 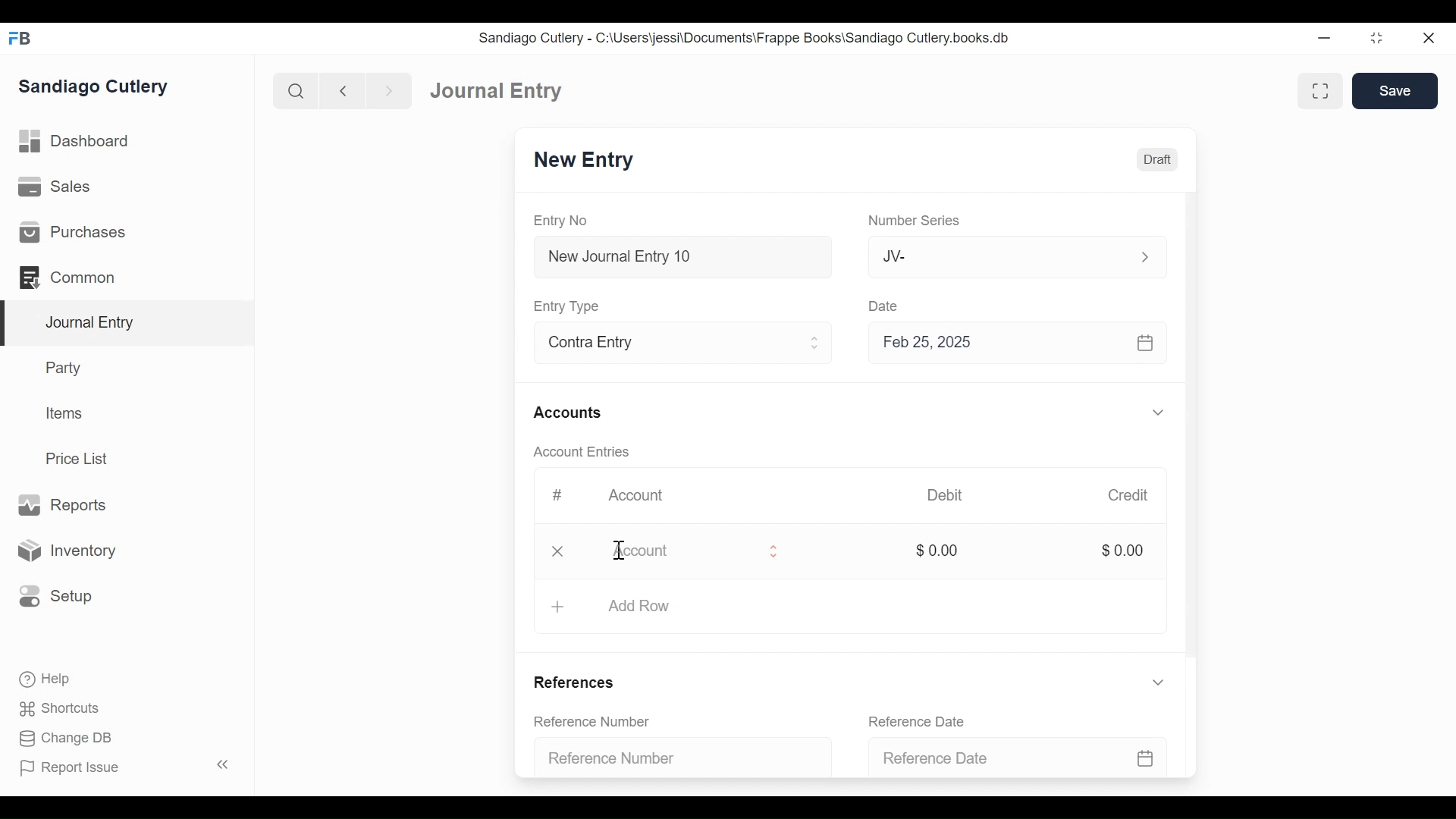 I want to click on Account, so click(x=678, y=554).